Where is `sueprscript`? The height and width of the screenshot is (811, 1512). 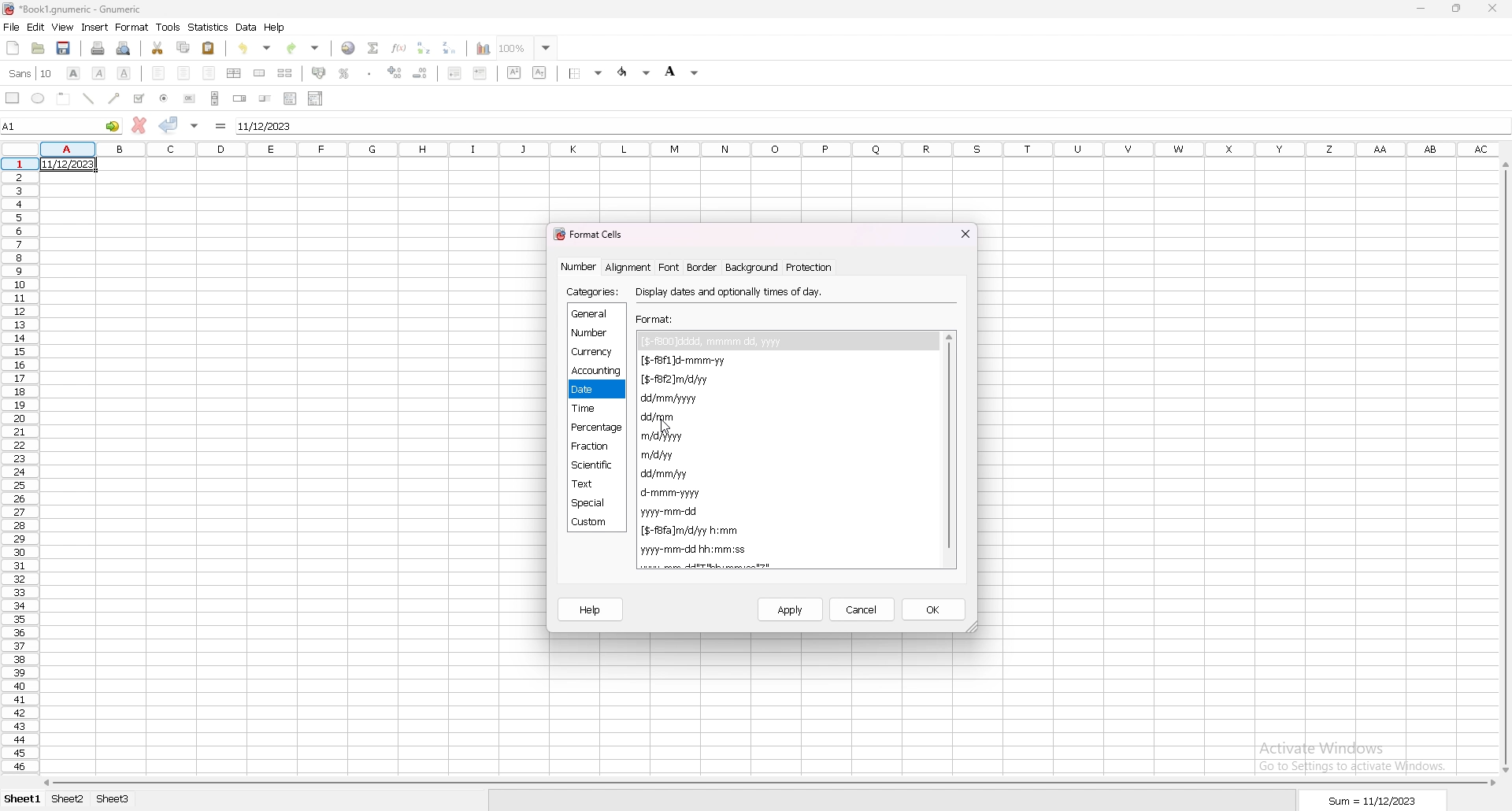 sueprscript is located at coordinates (514, 72).